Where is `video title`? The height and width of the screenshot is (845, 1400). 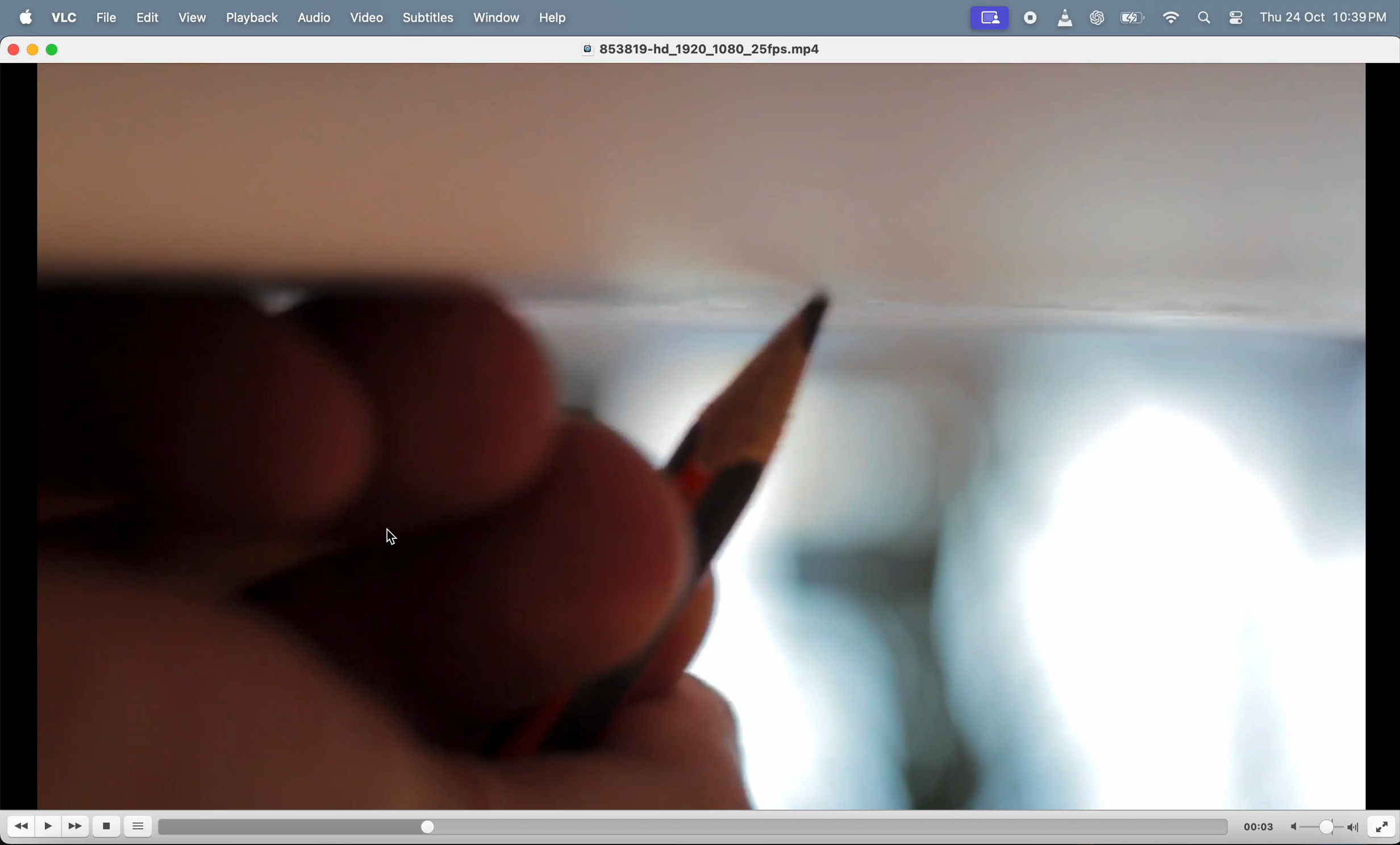 video title is located at coordinates (711, 47).